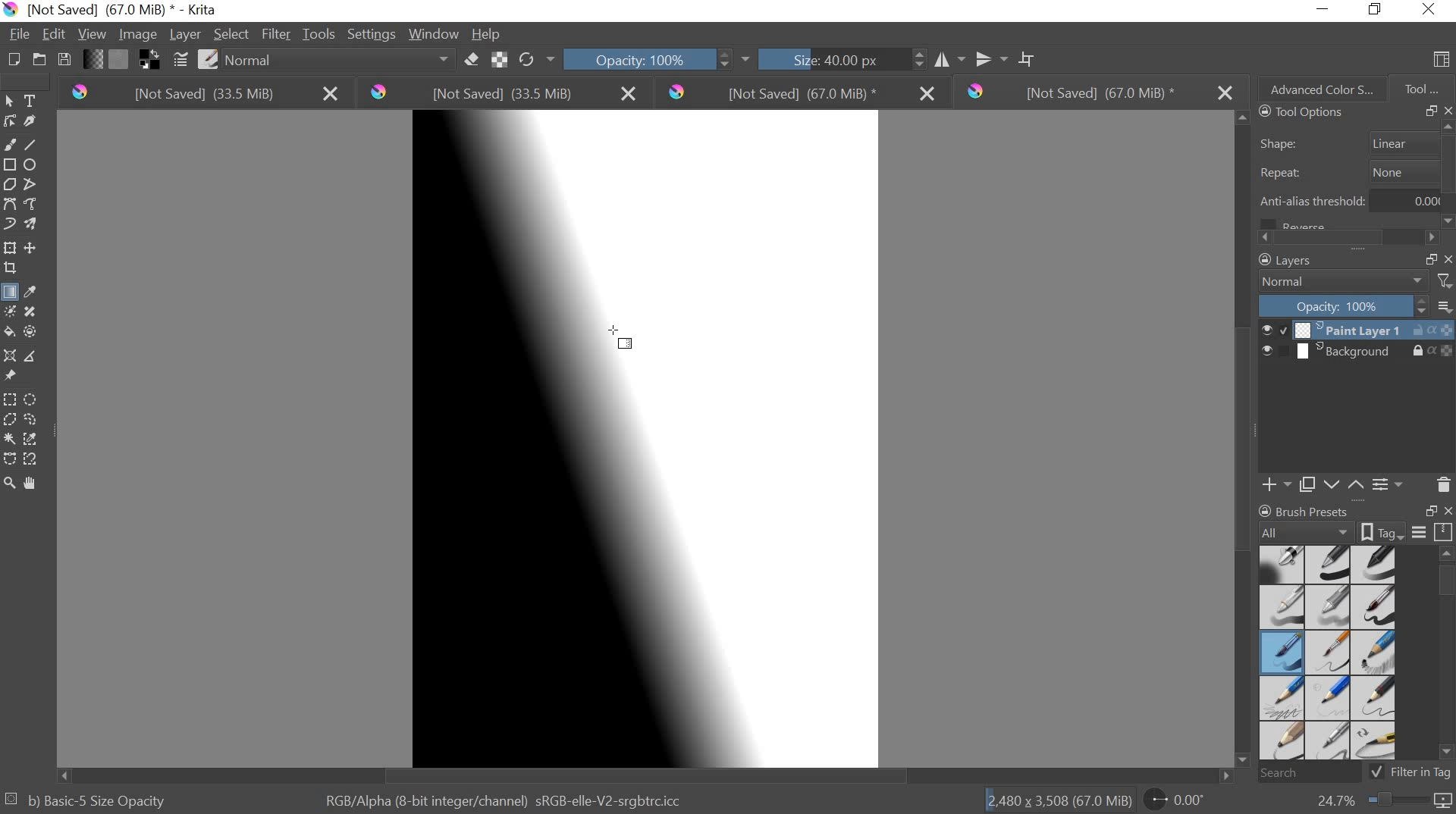  I want to click on TOOLS OPTIONS, so click(1298, 113).